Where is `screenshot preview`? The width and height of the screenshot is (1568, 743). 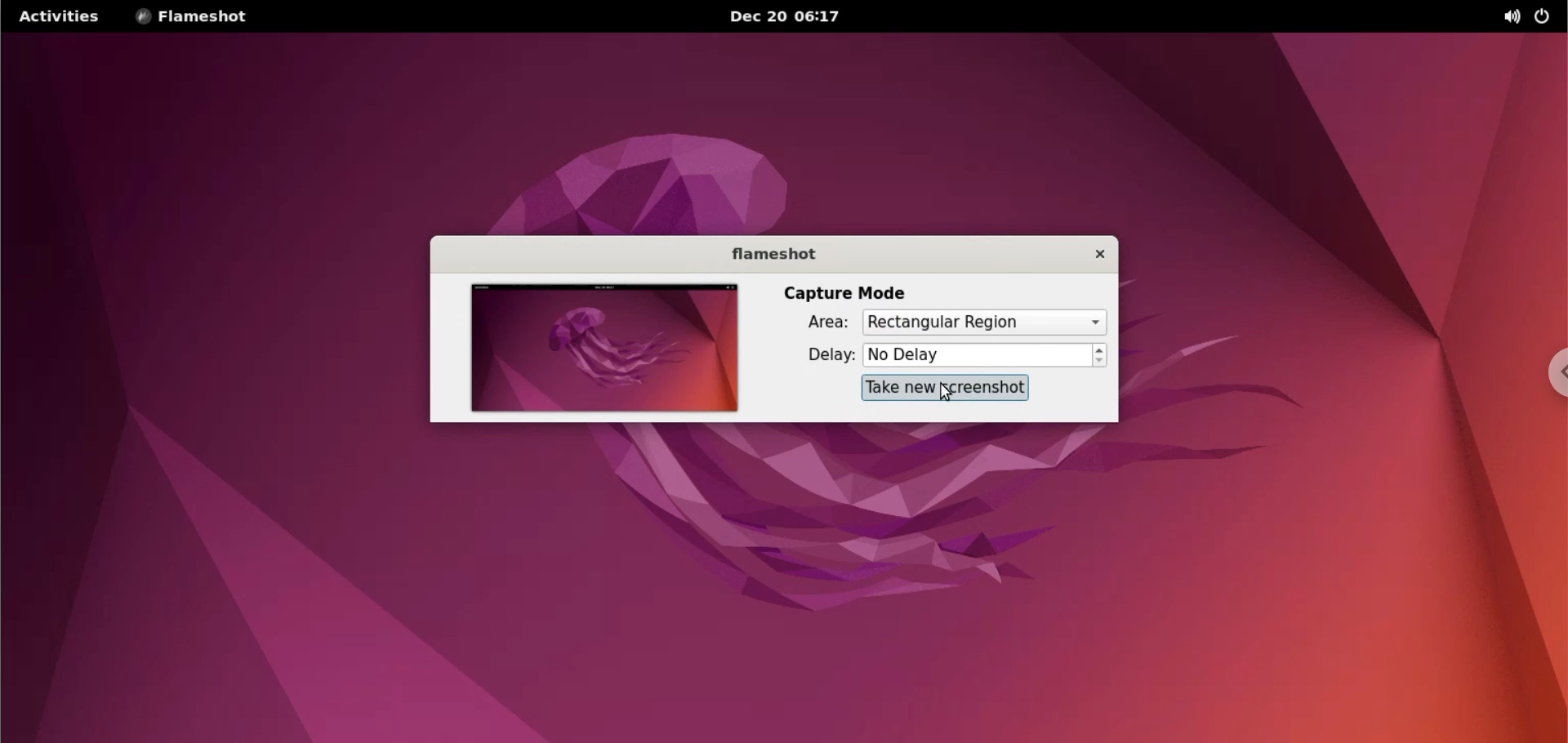 screenshot preview is located at coordinates (604, 348).